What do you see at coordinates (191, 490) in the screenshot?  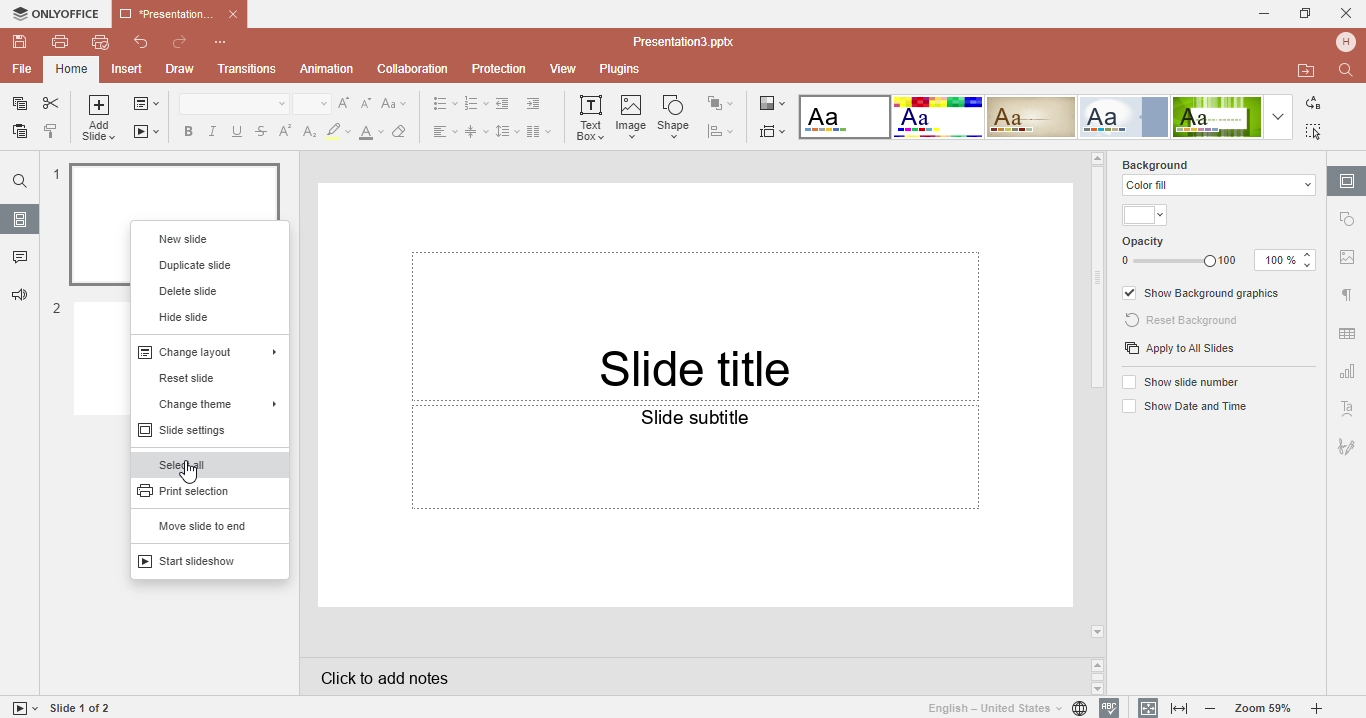 I see `Print selection` at bounding box center [191, 490].